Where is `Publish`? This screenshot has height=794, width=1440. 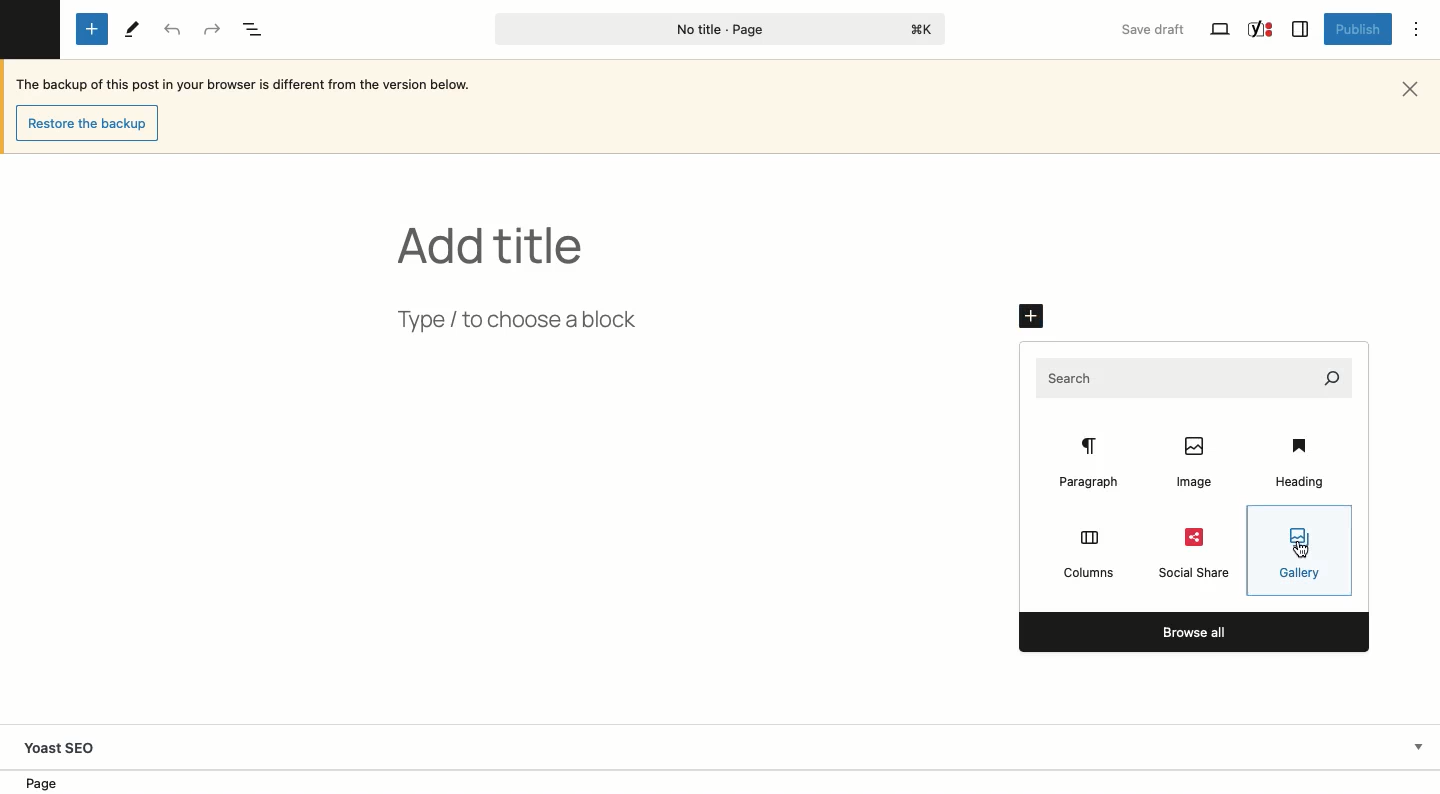
Publish is located at coordinates (1355, 28).